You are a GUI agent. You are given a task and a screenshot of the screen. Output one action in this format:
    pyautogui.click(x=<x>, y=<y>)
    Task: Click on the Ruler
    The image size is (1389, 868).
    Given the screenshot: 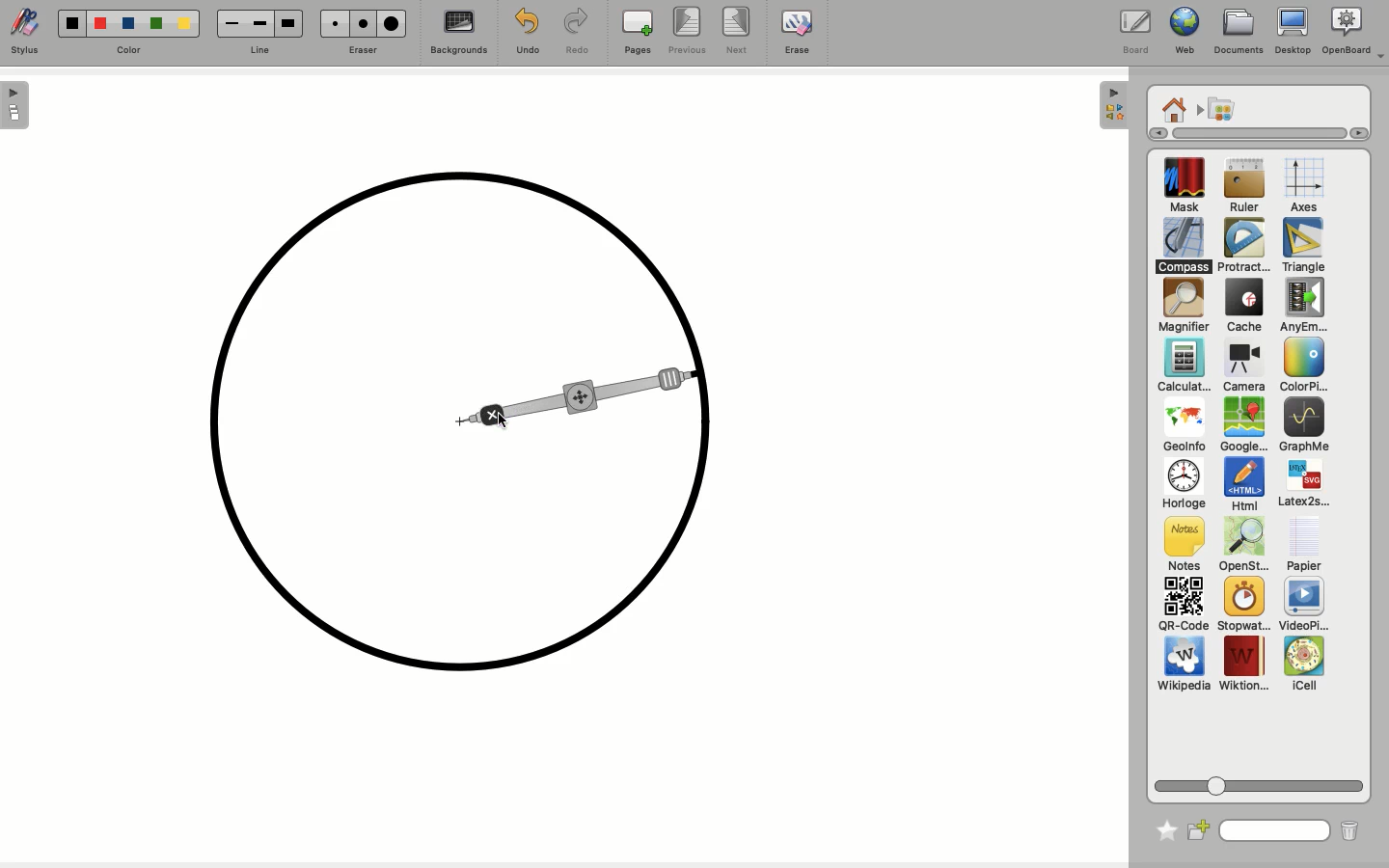 What is the action you would take?
    pyautogui.click(x=1244, y=187)
    